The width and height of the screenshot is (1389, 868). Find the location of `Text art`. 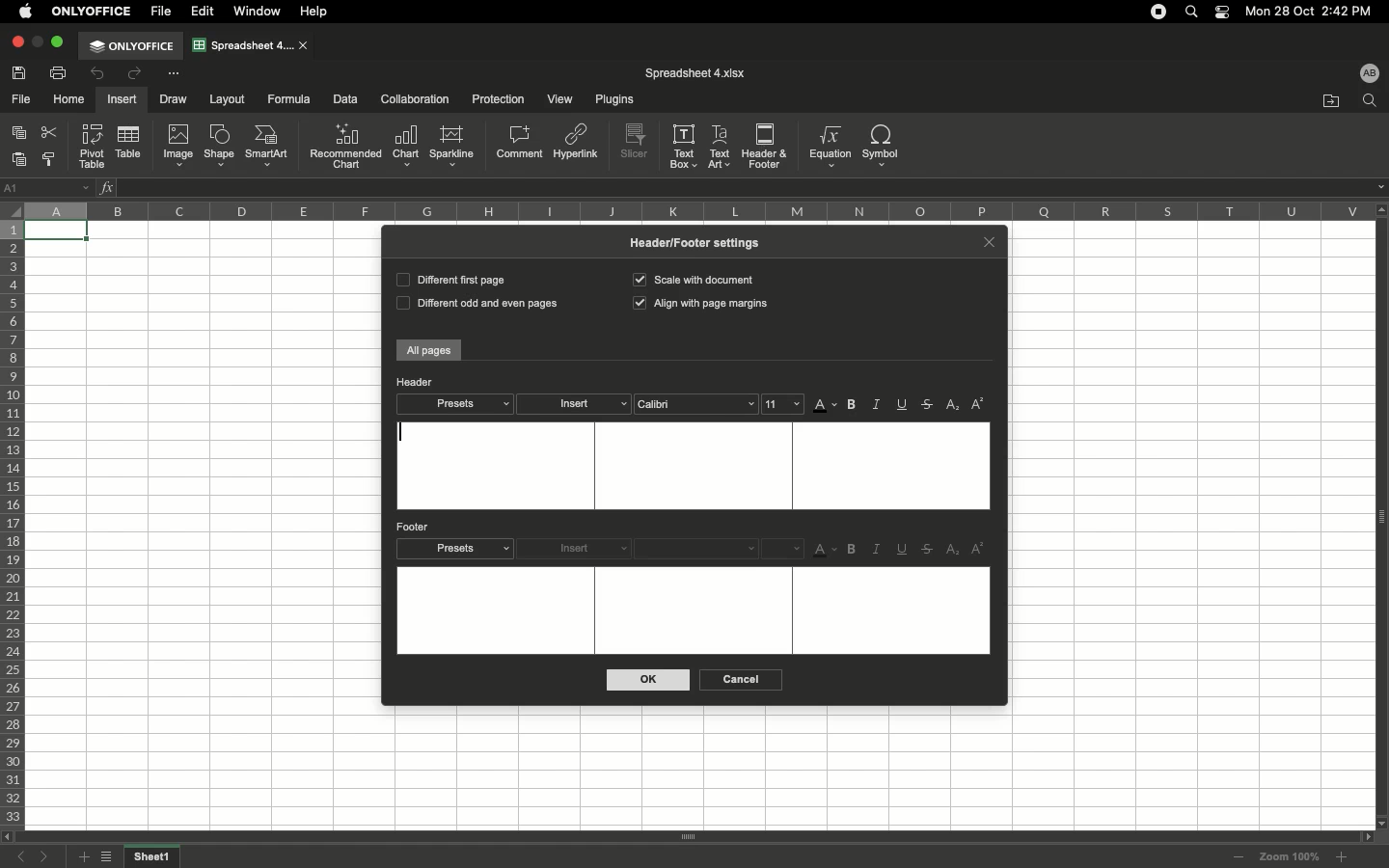

Text art is located at coordinates (721, 145).